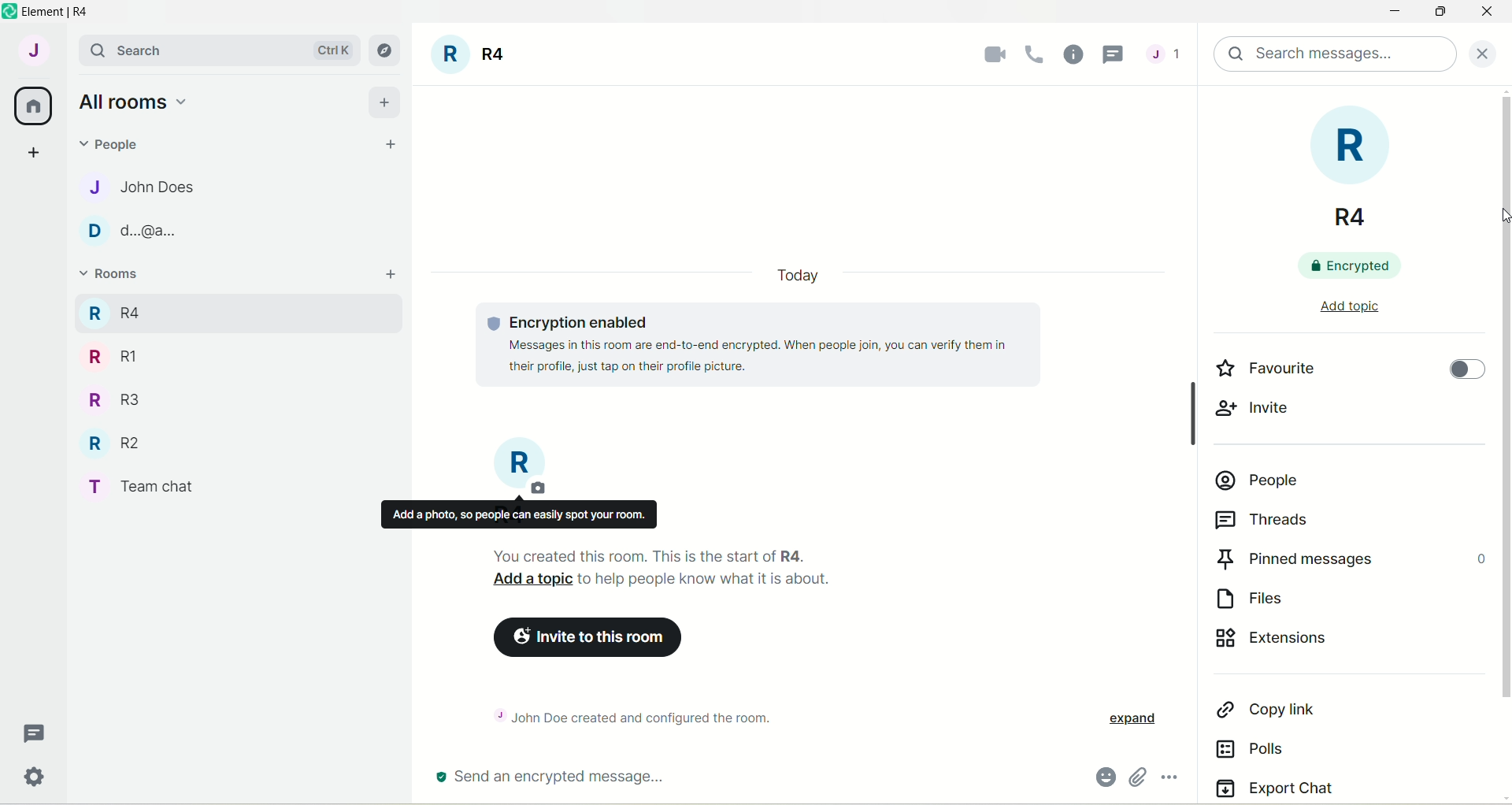 This screenshot has width=1512, height=805. I want to click on room title, so click(471, 57).